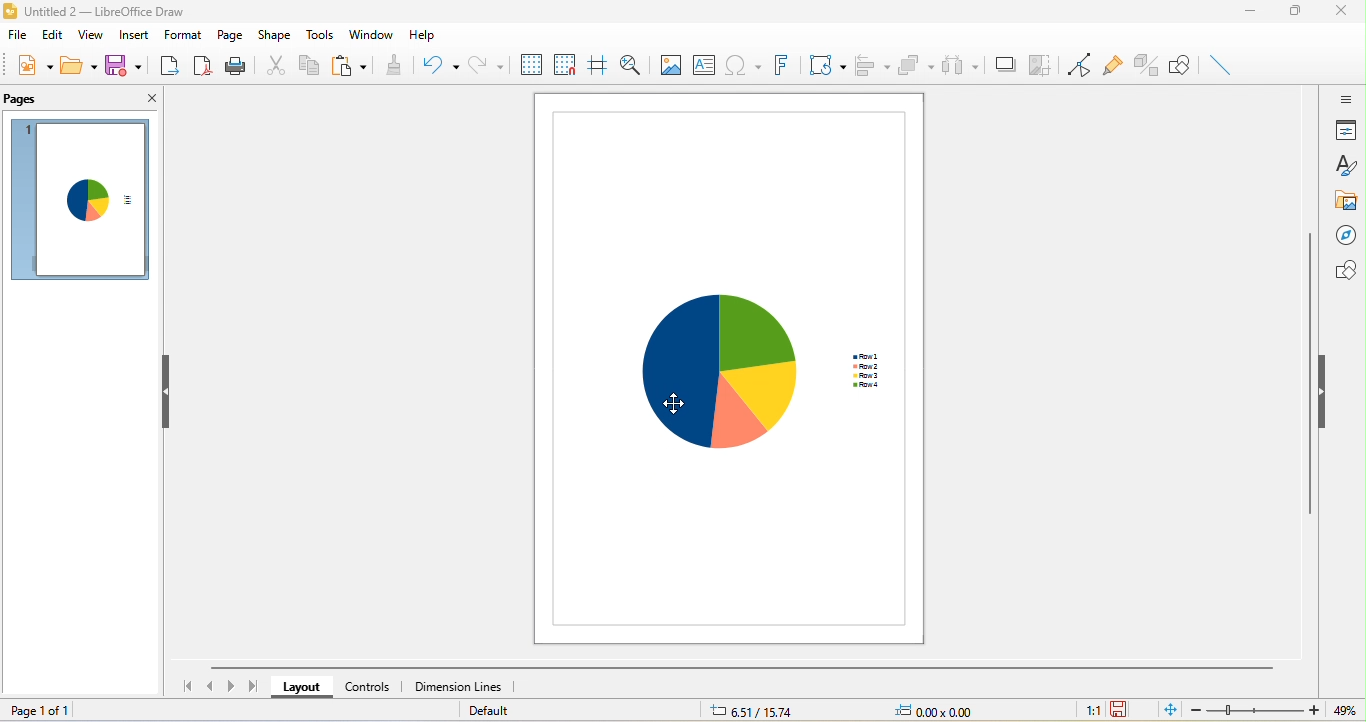 The height and width of the screenshot is (722, 1366). I want to click on close, so click(1343, 12).